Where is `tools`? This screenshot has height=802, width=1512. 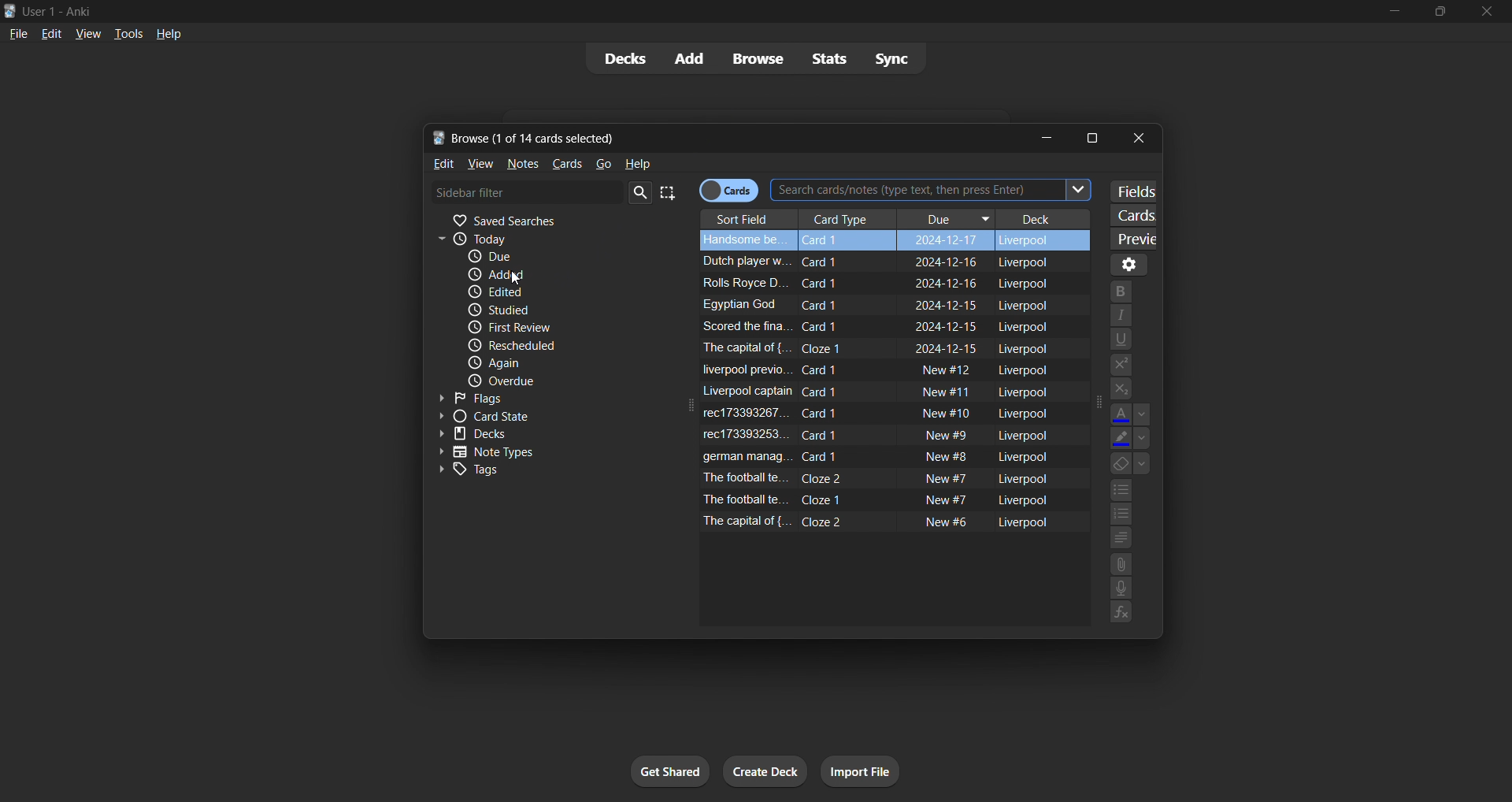
tools is located at coordinates (128, 35).